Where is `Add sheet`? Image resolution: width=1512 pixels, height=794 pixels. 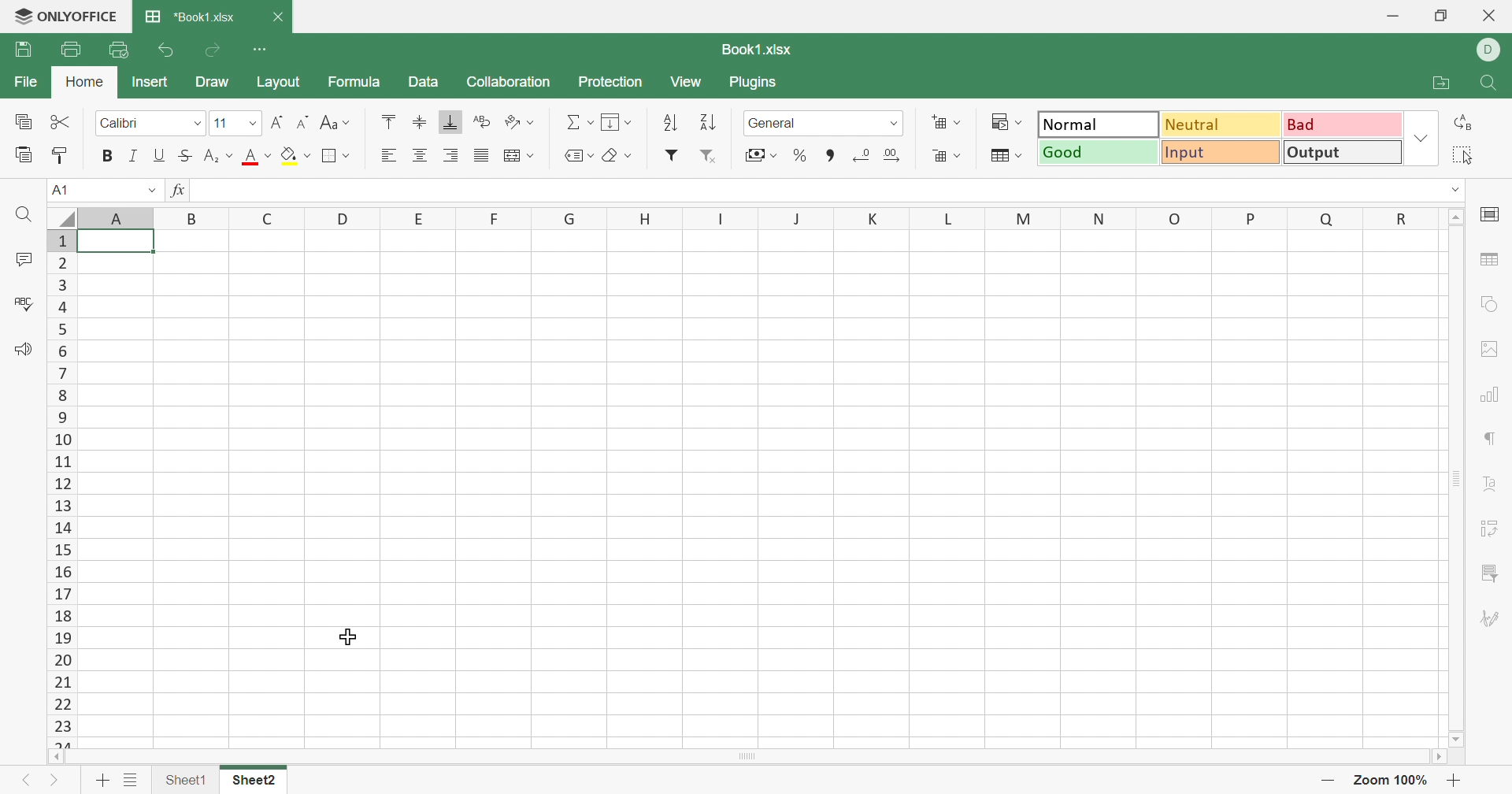
Add sheet is located at coordinates (98, 777).